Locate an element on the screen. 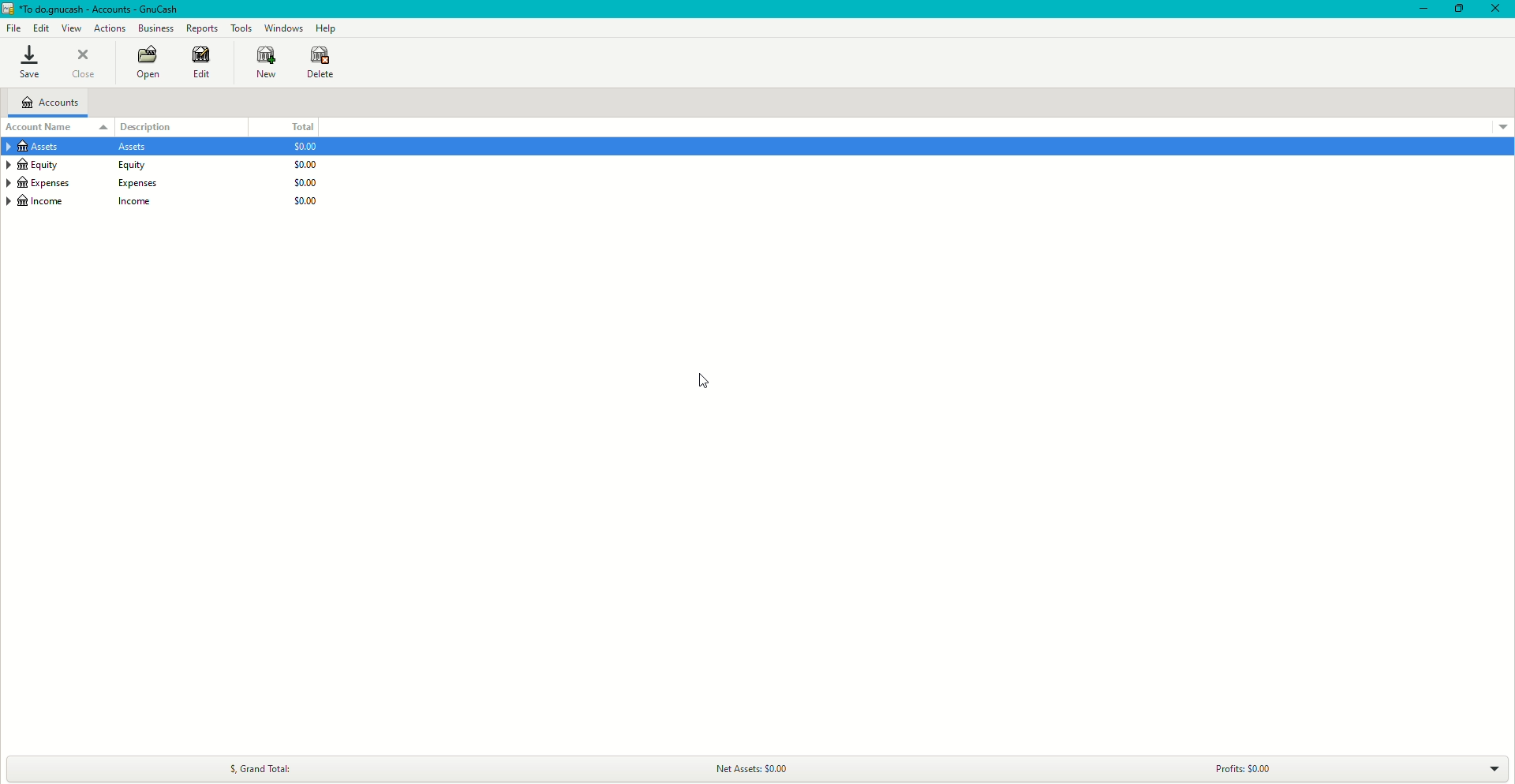 The height and width of the screenshot is (784, 1515). Description is located at coordinates (156, 125).